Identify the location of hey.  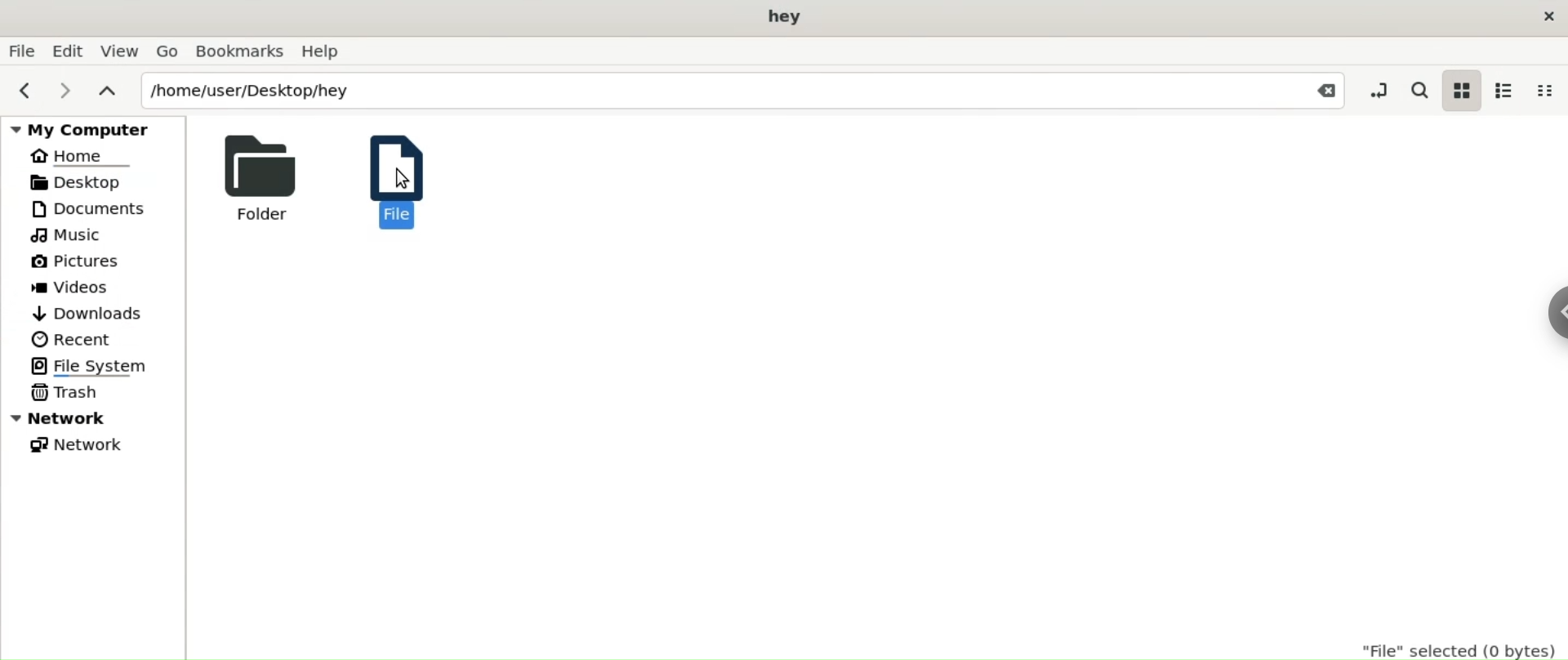
(777, 17).